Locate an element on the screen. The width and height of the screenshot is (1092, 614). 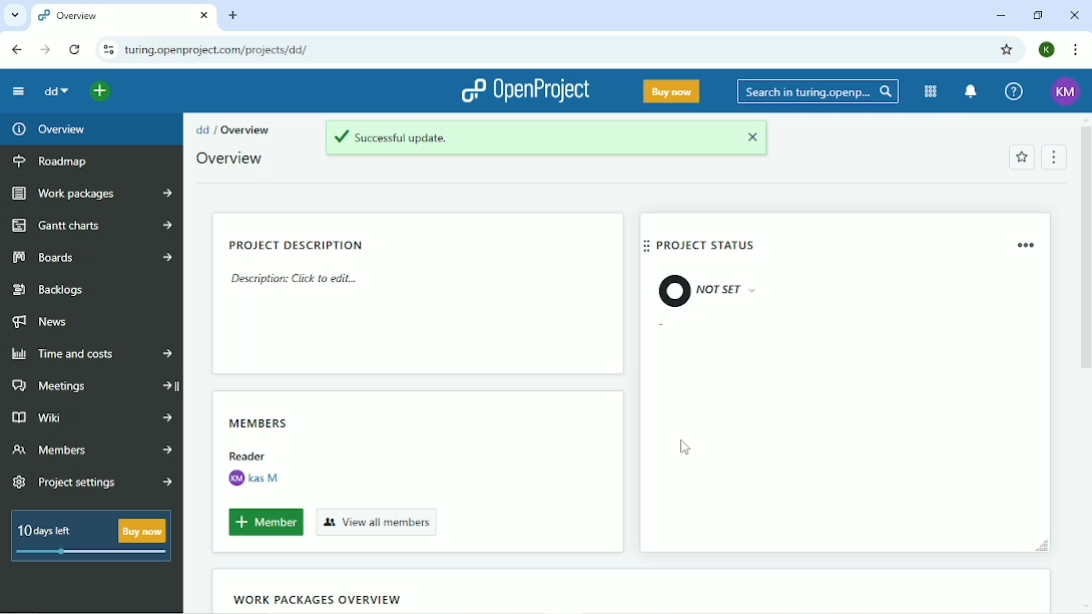
Reader kas M is located at coordinates (250, 468).